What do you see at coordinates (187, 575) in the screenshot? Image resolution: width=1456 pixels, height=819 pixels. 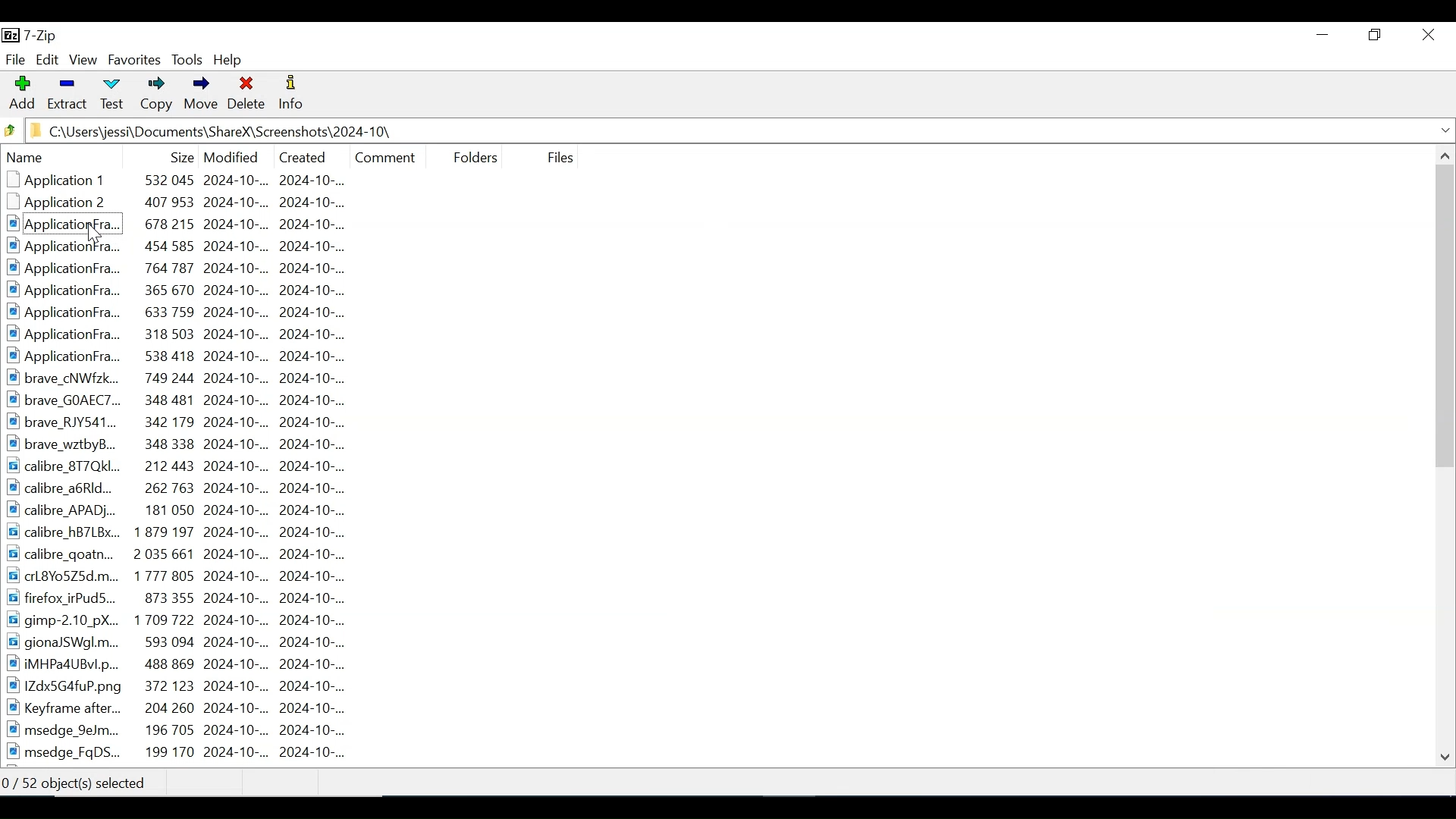 I see `carl8Yo5Z25d.m... 1777 805 2024-10-.. 2024-10-...` at bounding box center [187, 575].